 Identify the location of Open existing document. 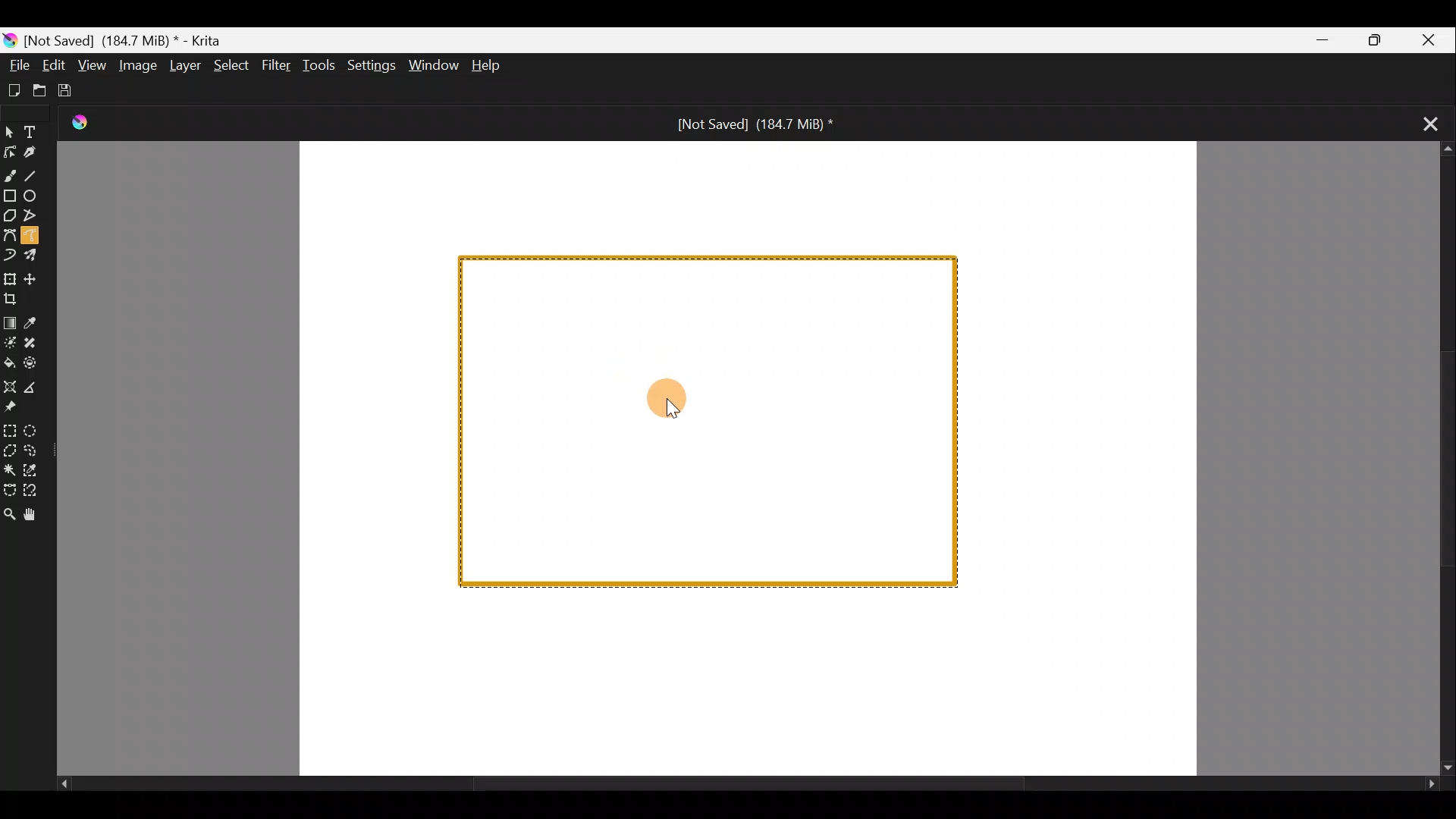
(40, 90).